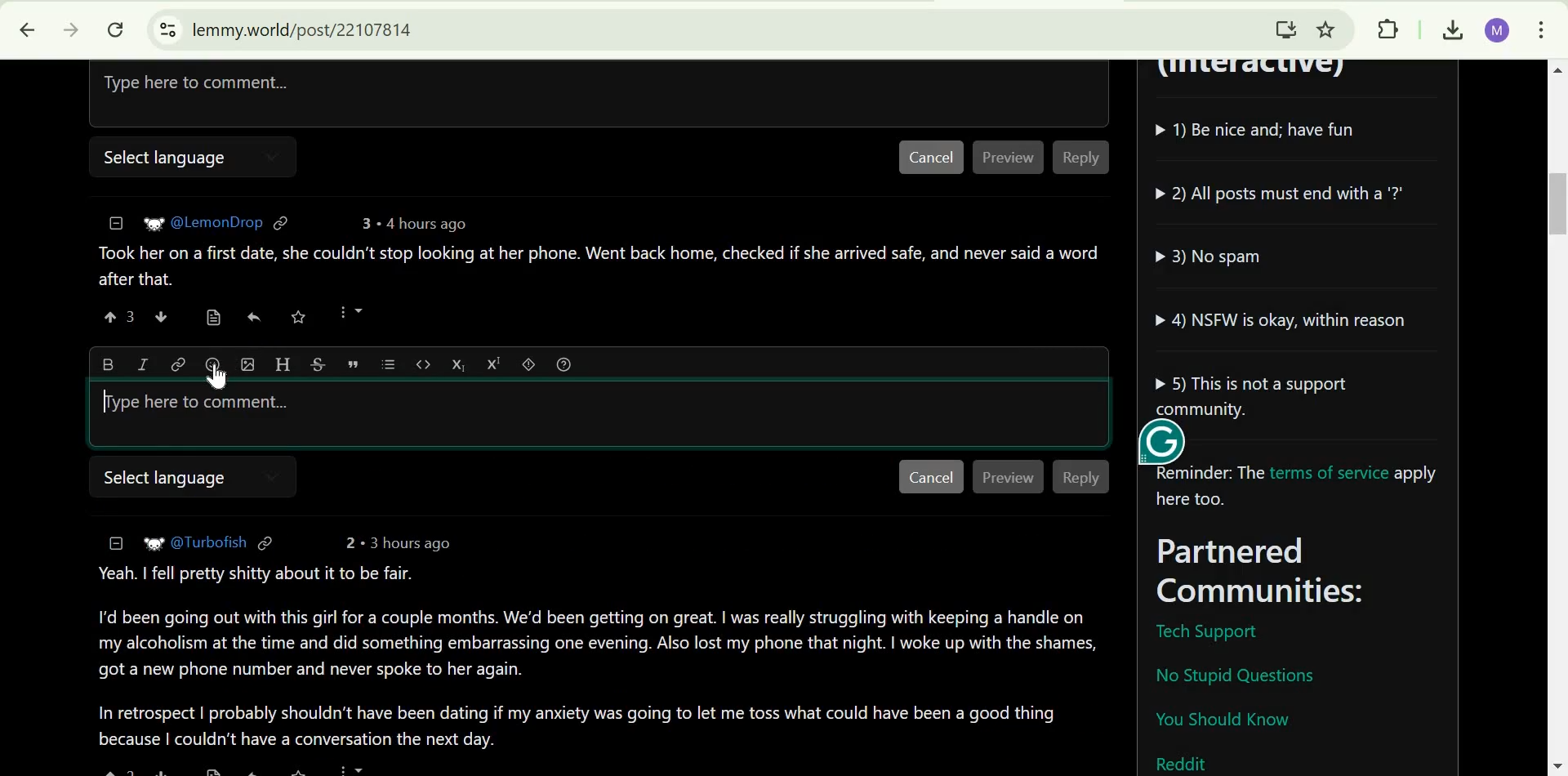 This screenshot has width=1568, height=776. What do you see at coordinates (427, 90) in the screenshot?
I see `Type here to comment...` at bounding box center [427, 90].